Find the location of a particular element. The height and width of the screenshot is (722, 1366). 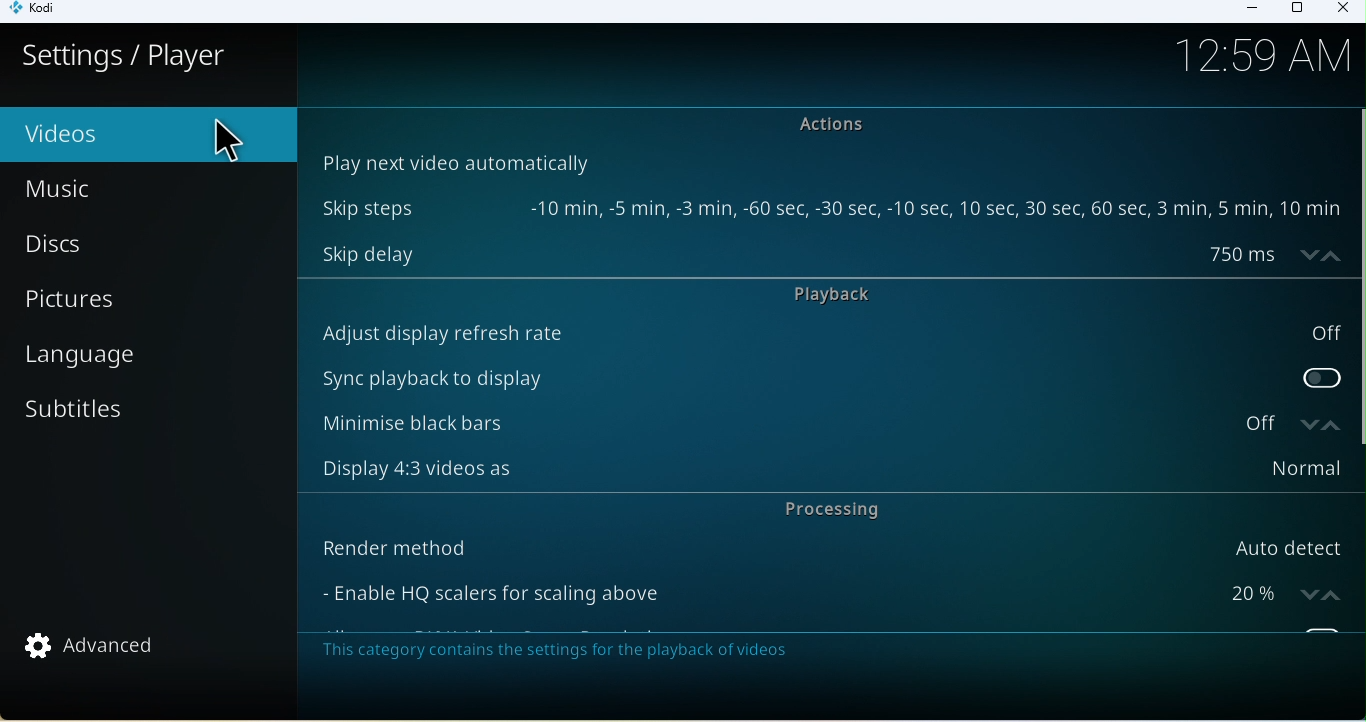

Sync playback to display is located at coordinates (829, 374).